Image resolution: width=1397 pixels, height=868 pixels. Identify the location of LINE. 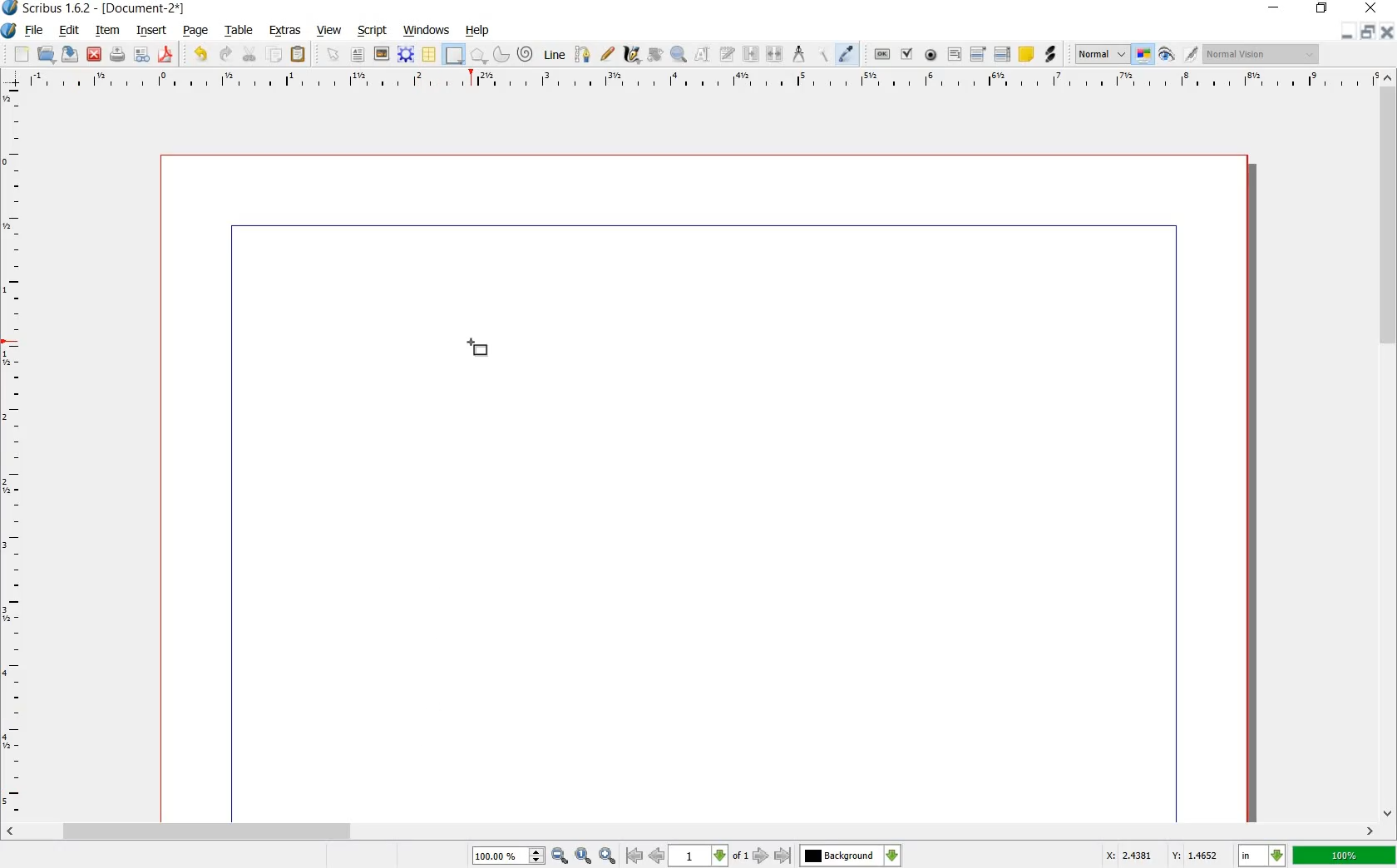
(555, 52).